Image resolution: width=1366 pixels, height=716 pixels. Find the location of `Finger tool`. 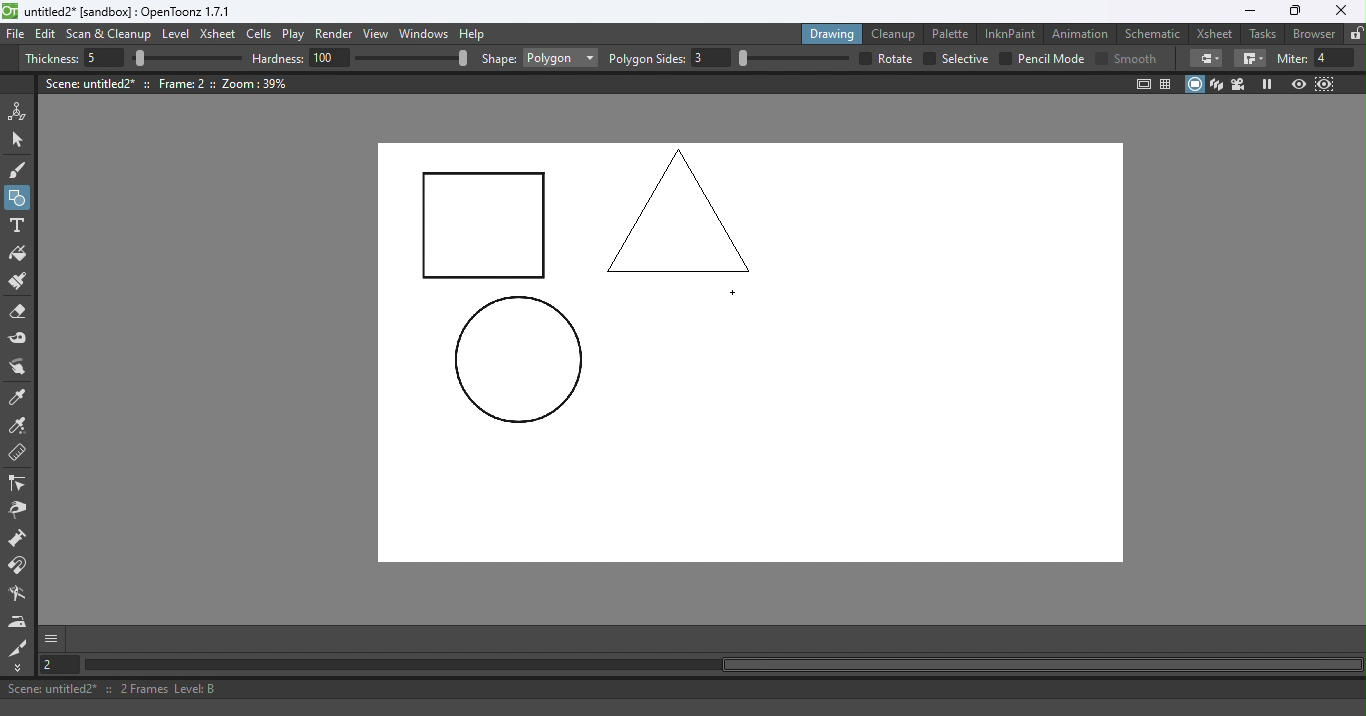

Finger tool is located at coordinates (18, 369).